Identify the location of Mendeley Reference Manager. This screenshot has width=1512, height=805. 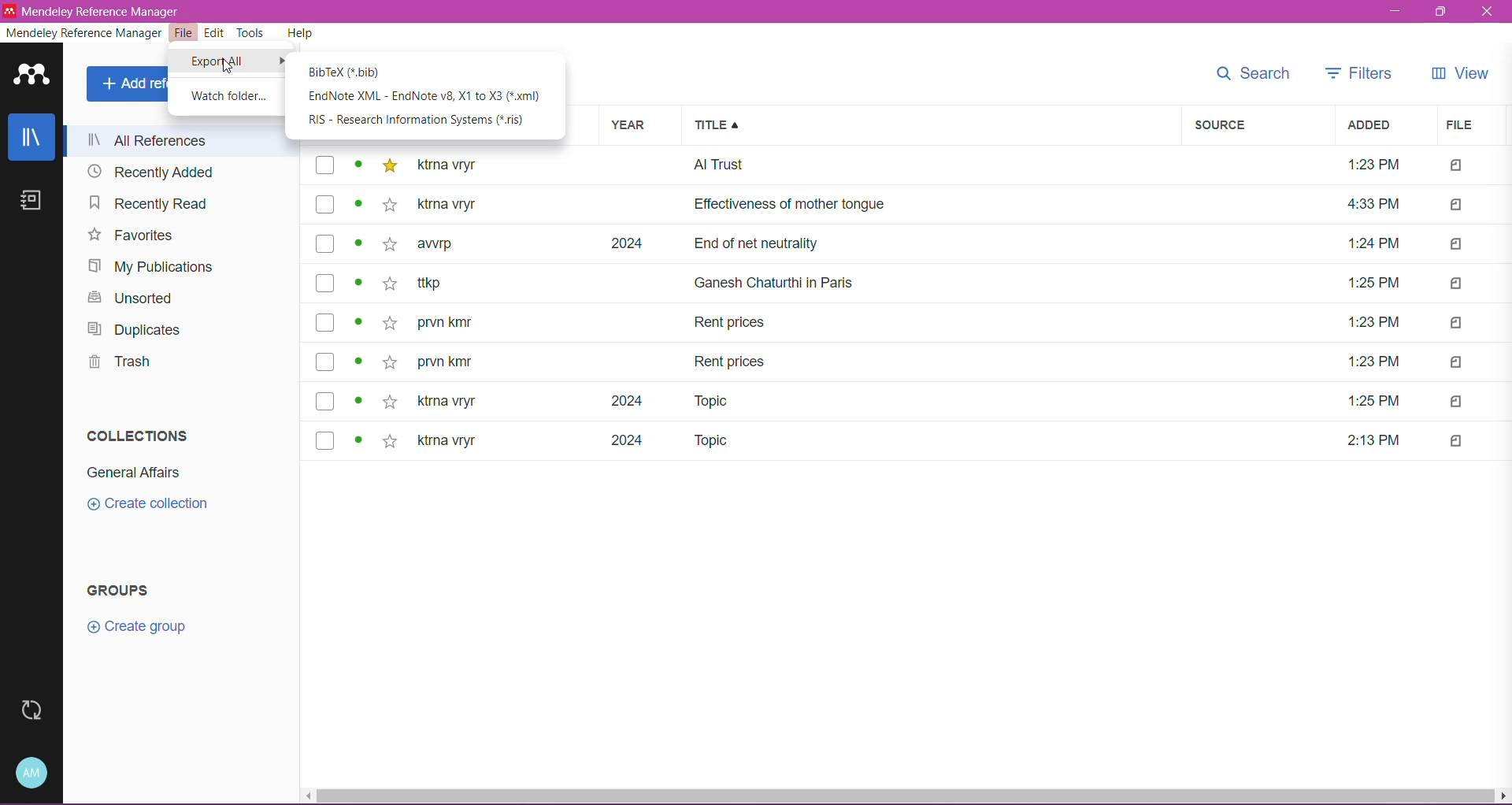
(102, 11).